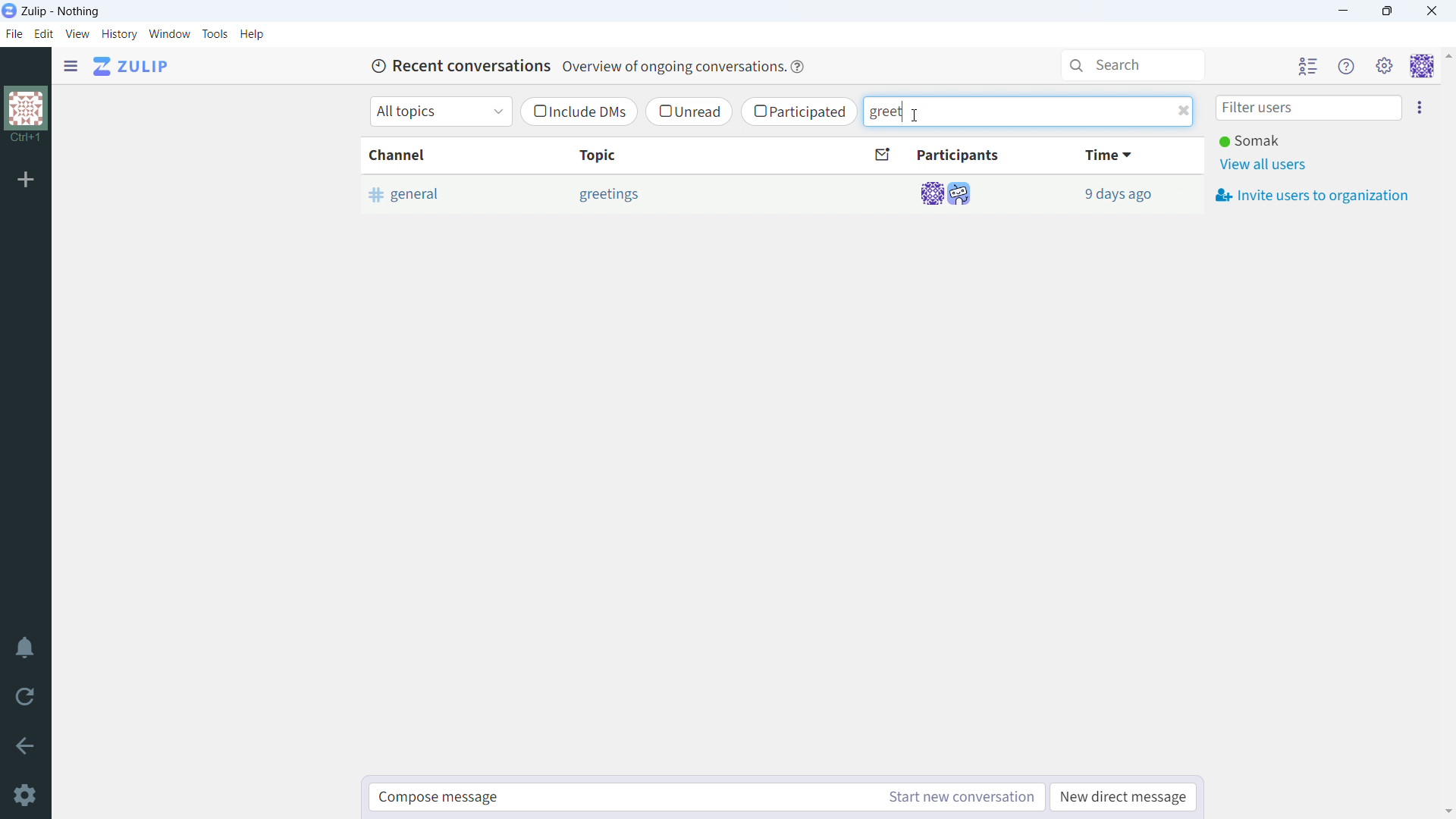 The image size is (1456, 819). I want to click on close, so click(1430, 11).